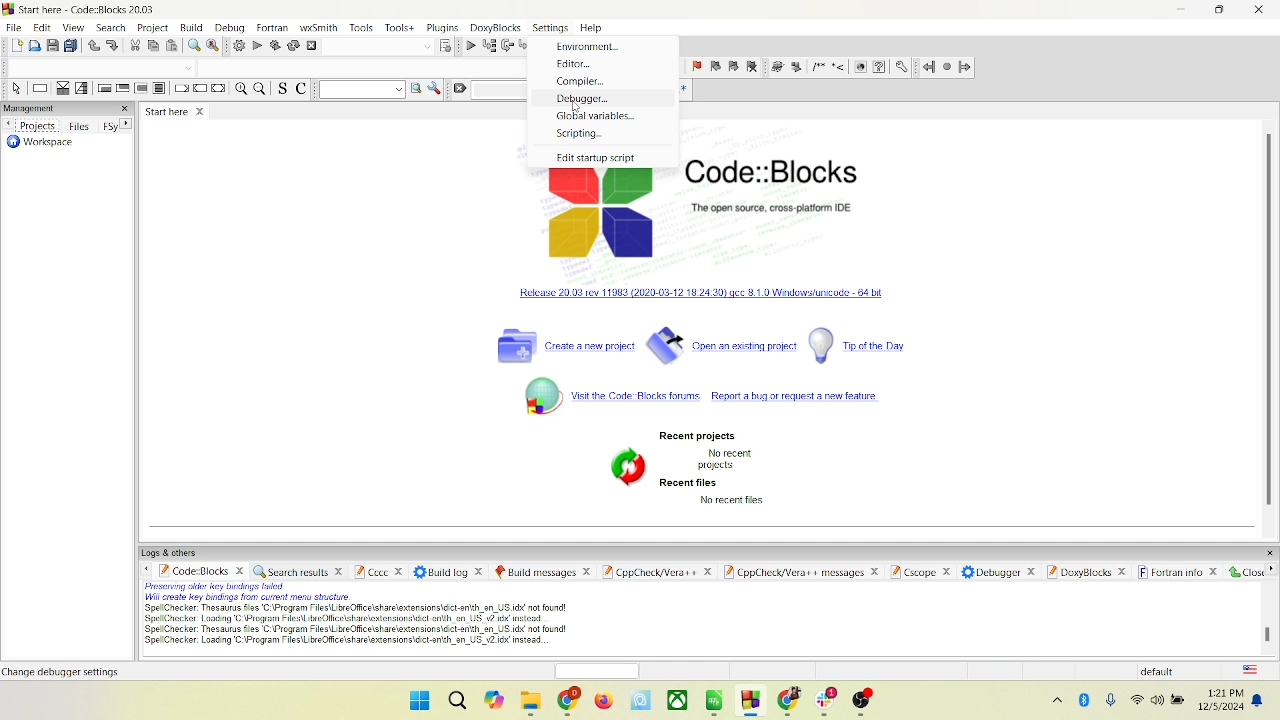  I want to click on bluetooth, so click(1086, 703).